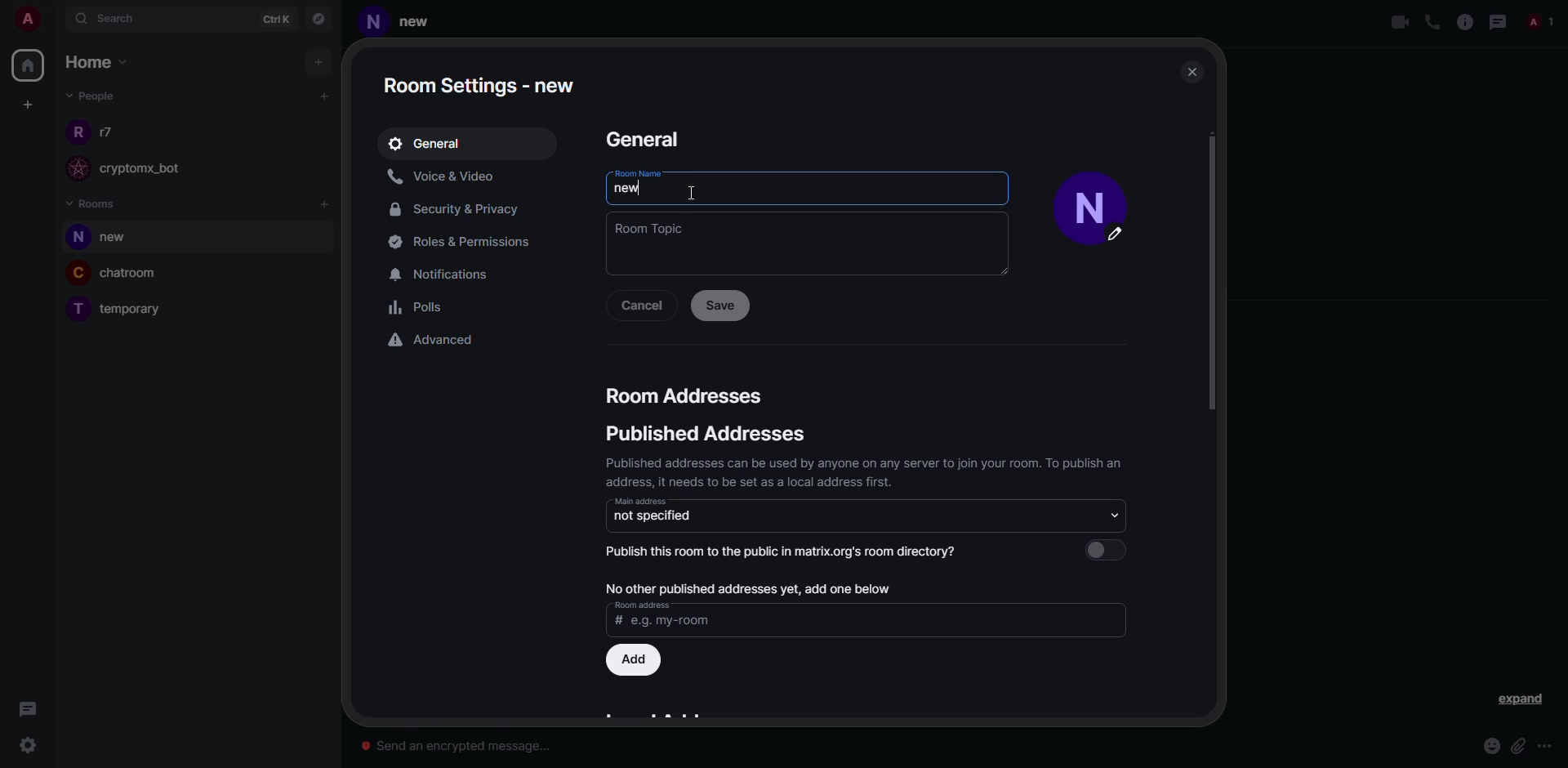 This screenshot has width=1568, height=768. What do you see at coordinates (89, 96) in the screenshot?
I see `people` at bounding box center [89, 96].